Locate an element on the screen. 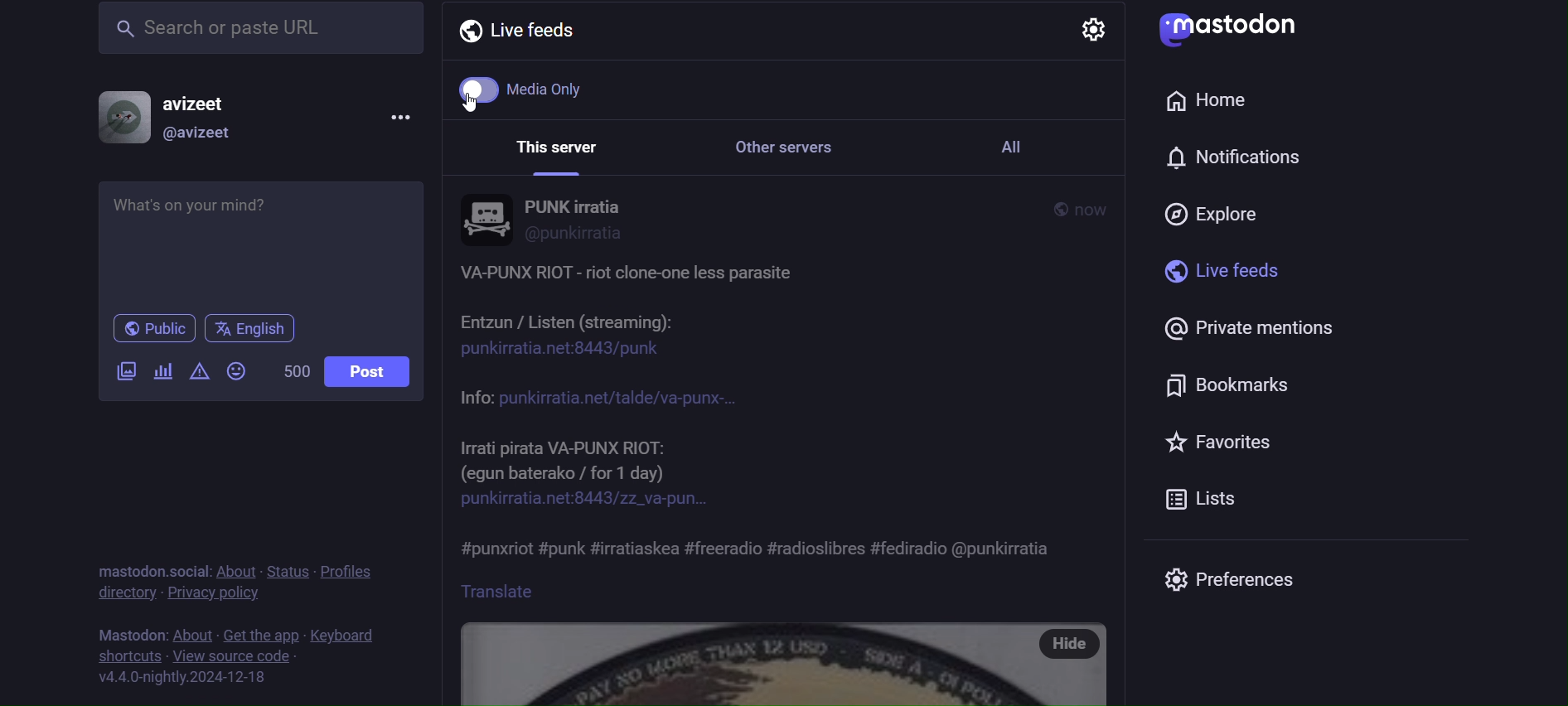  preferences is located at coordinates (1226, 580).